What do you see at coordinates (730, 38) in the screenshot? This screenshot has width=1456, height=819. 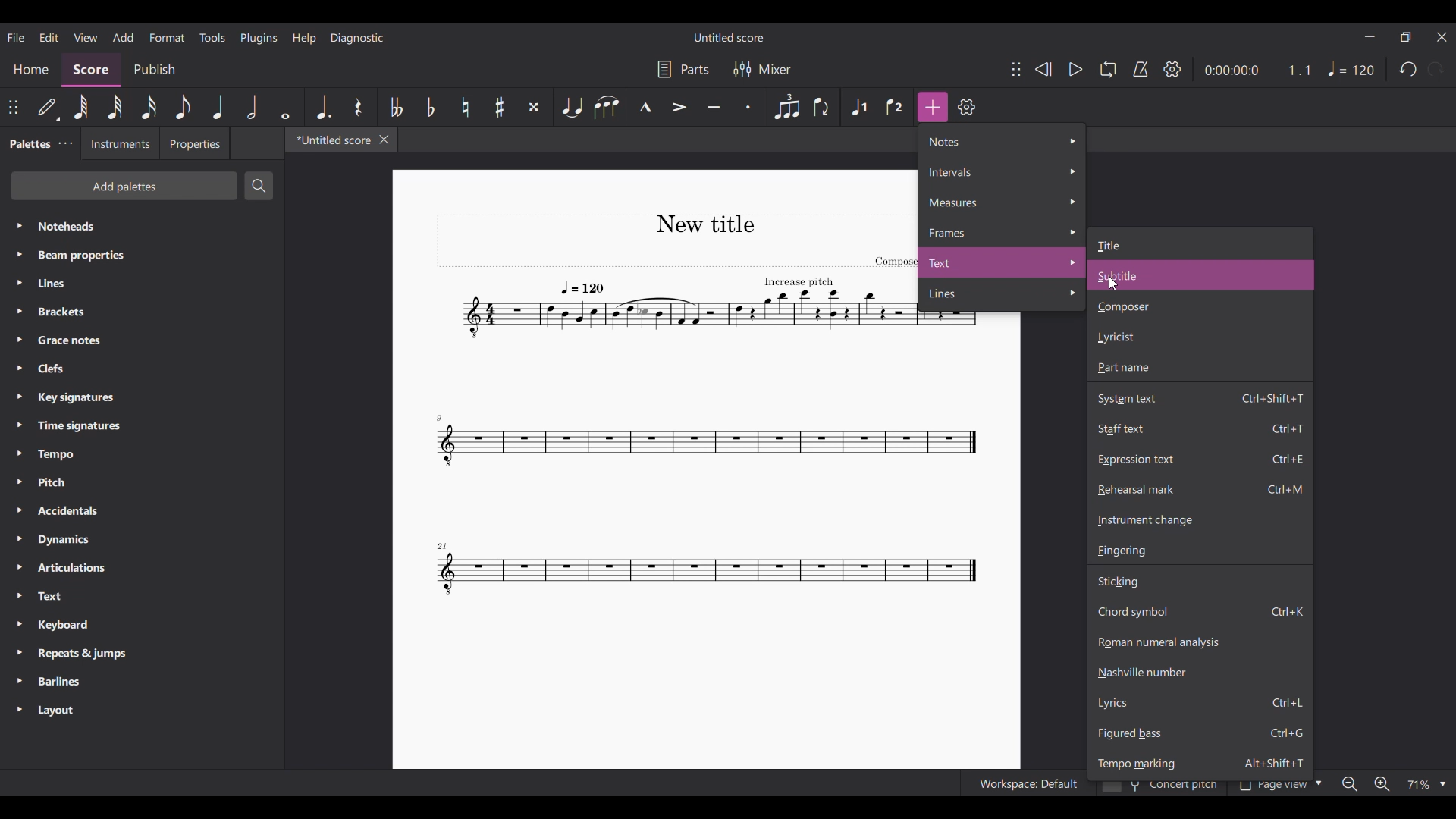 I see `Untitled score` at bounding box center [730, 38].